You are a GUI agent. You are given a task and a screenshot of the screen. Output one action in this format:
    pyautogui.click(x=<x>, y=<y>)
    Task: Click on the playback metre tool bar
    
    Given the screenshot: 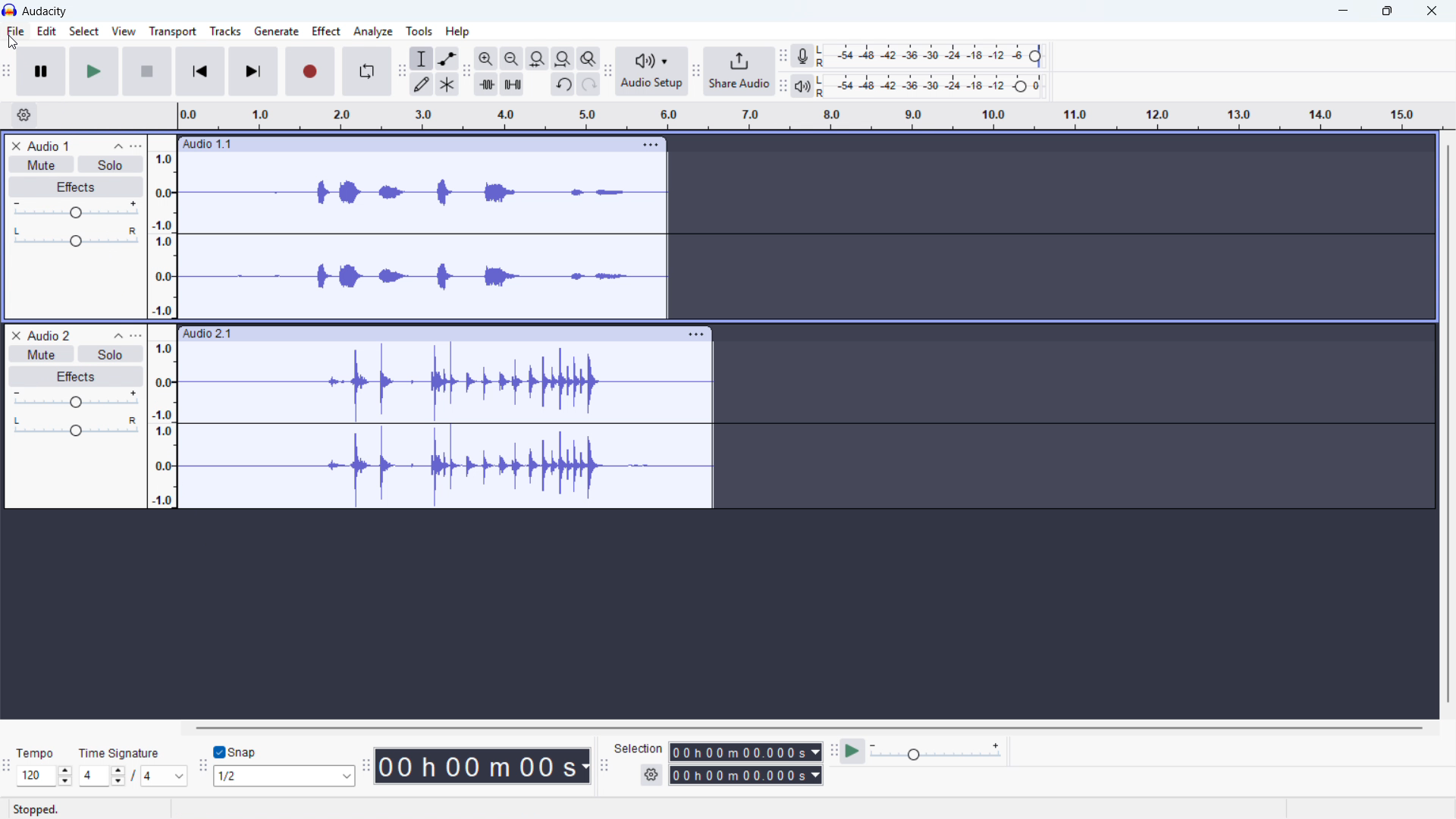 What is the action you would take?
    pyautogui.click(x=783, y=86)
    